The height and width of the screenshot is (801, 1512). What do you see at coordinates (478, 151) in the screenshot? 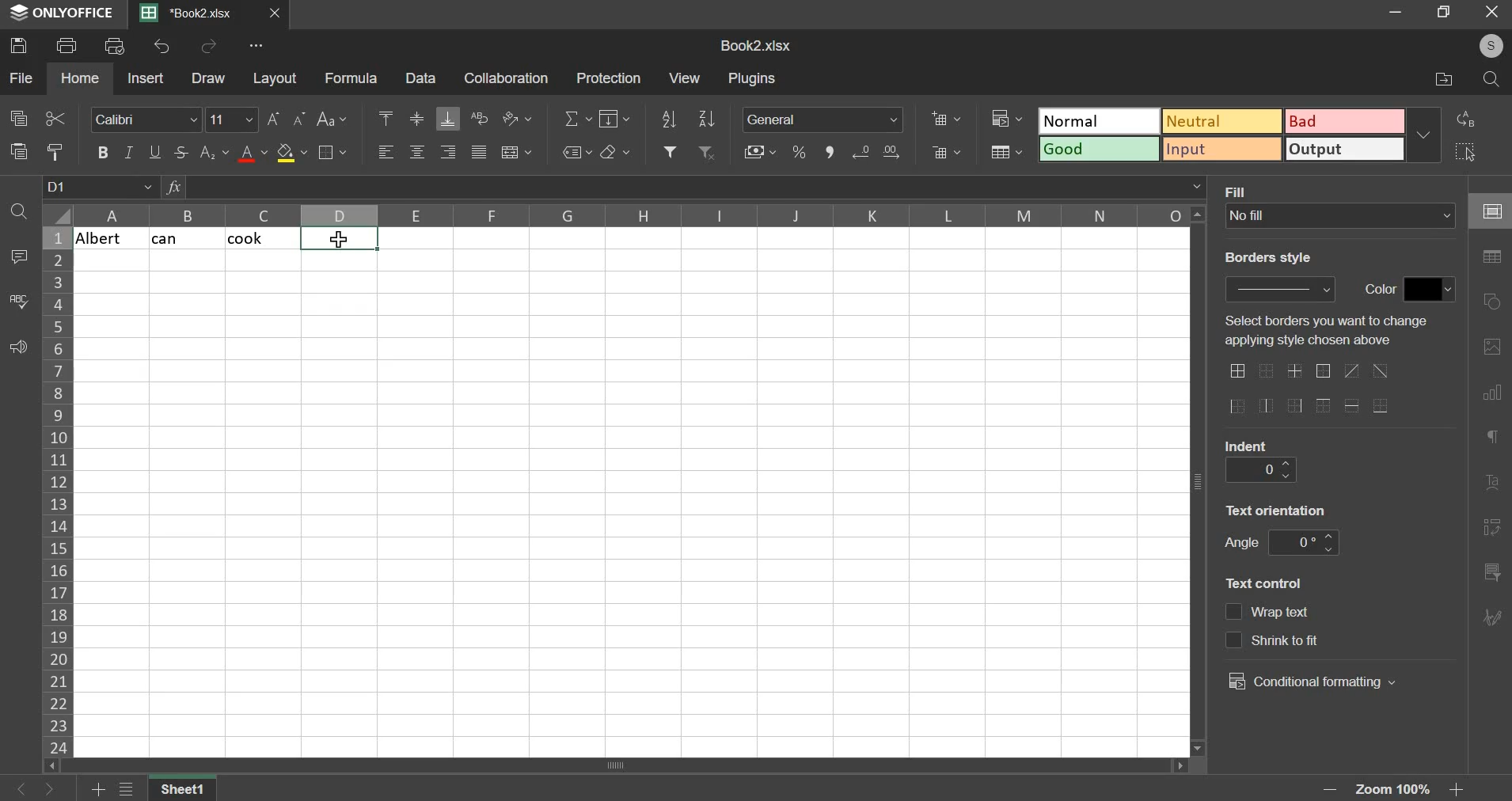
I see `justified` at bounding box center [478, 151].